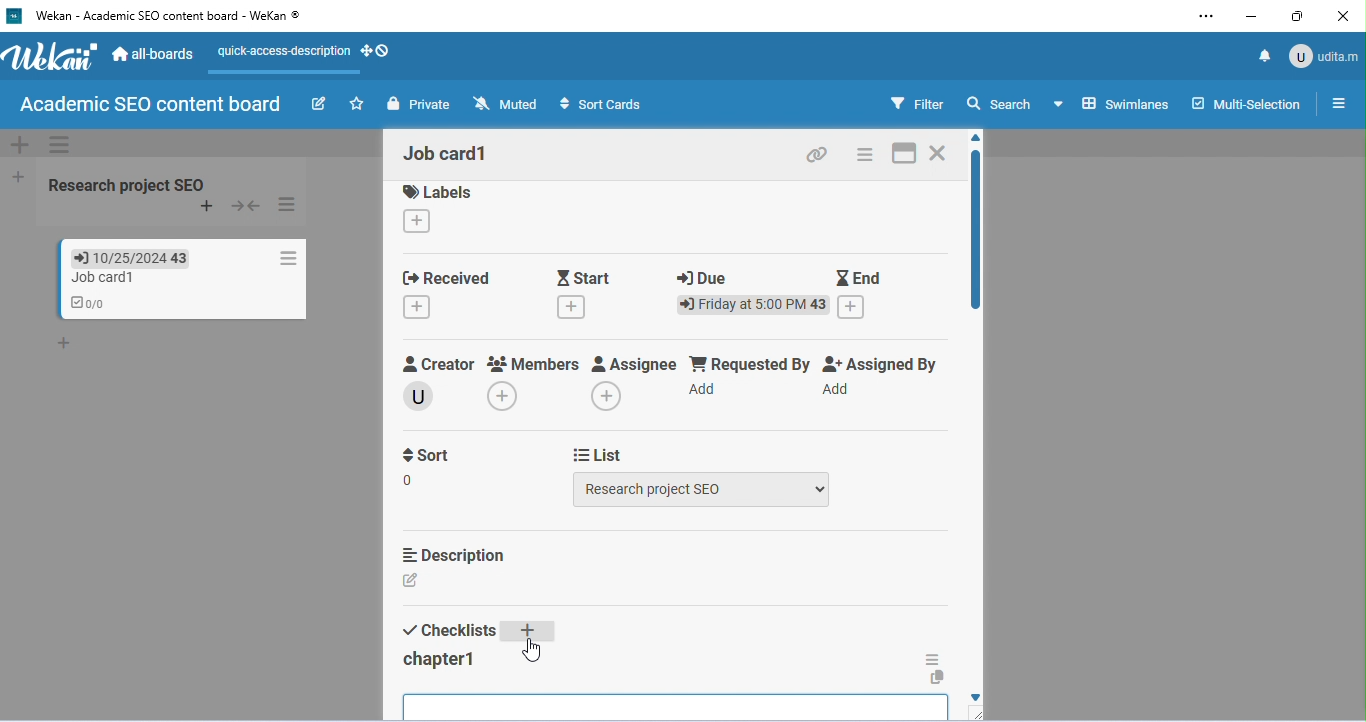 This screenshot has height=722, width=1366. Describe the element at coordinates (866, 154) in the screenshot. I see `card actions` at that location.